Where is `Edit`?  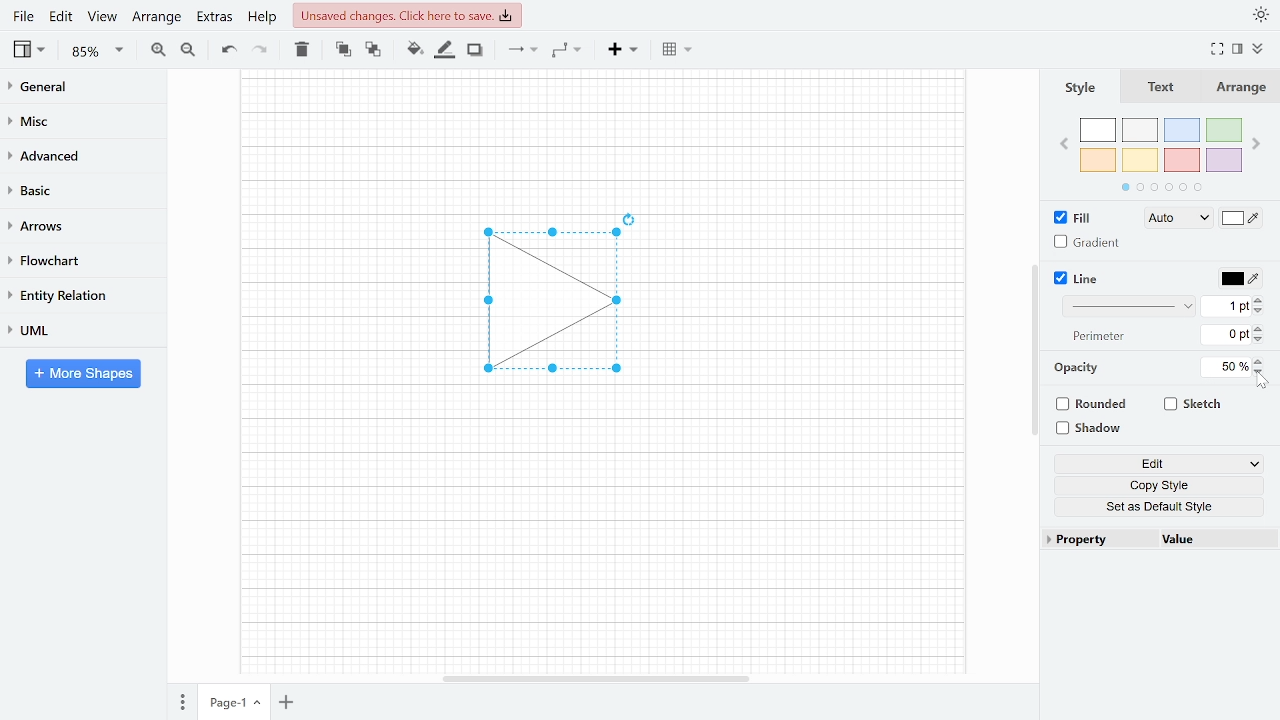
Edit is located at coordinates (62, 16).